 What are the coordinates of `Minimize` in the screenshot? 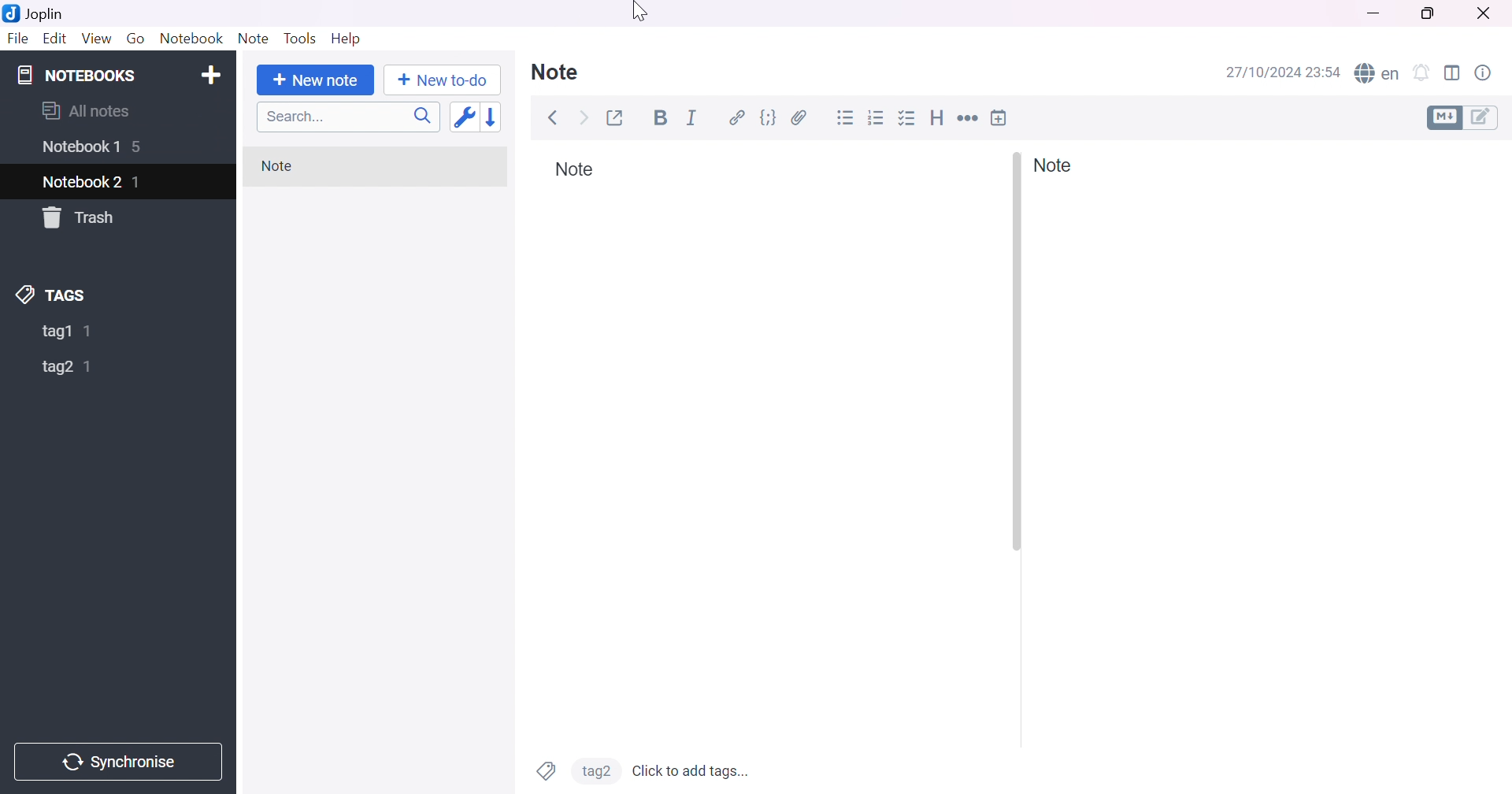 It's located at (1373, 13).